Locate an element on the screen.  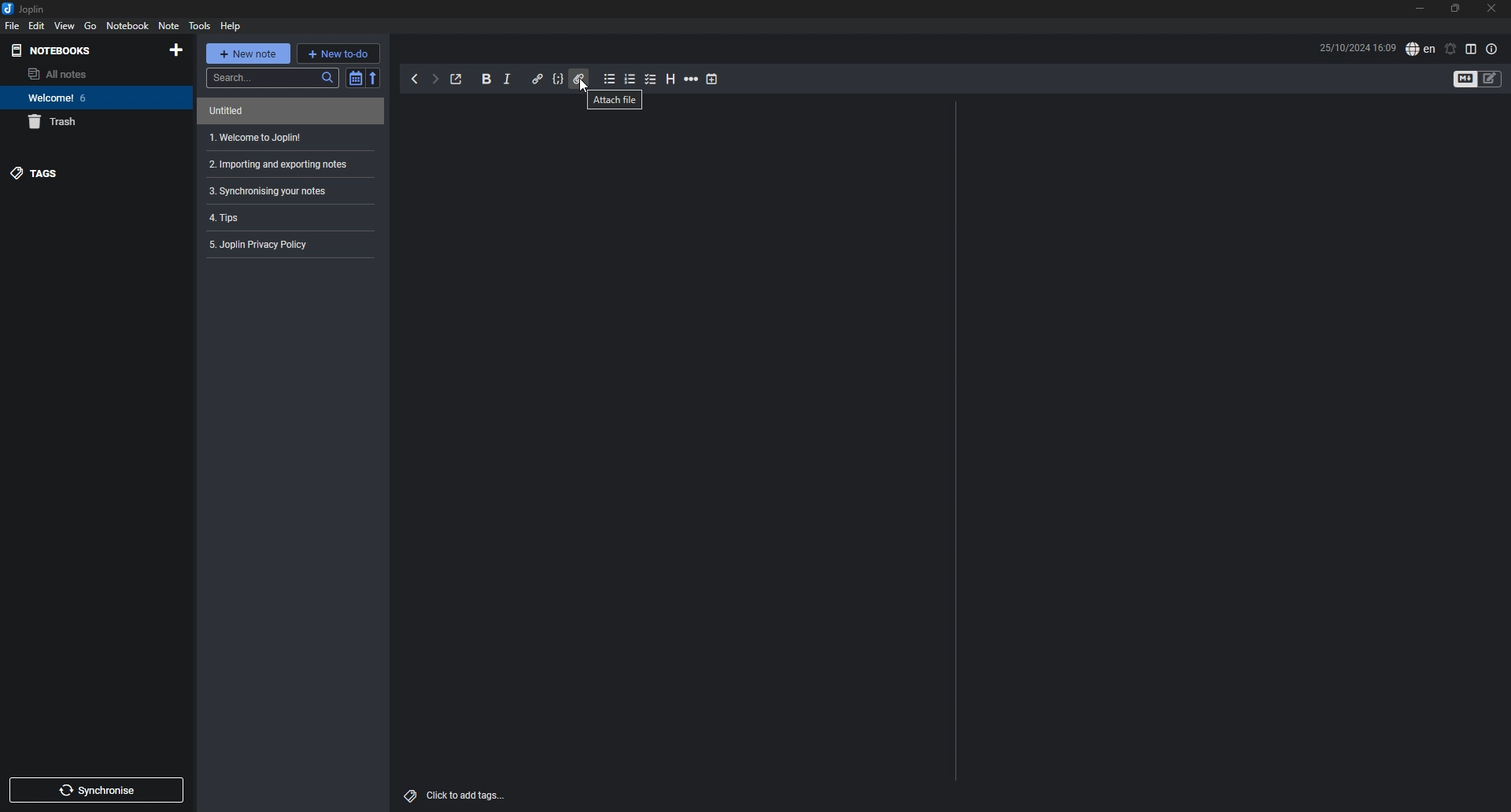
close is located at coordinates (1492, 9).